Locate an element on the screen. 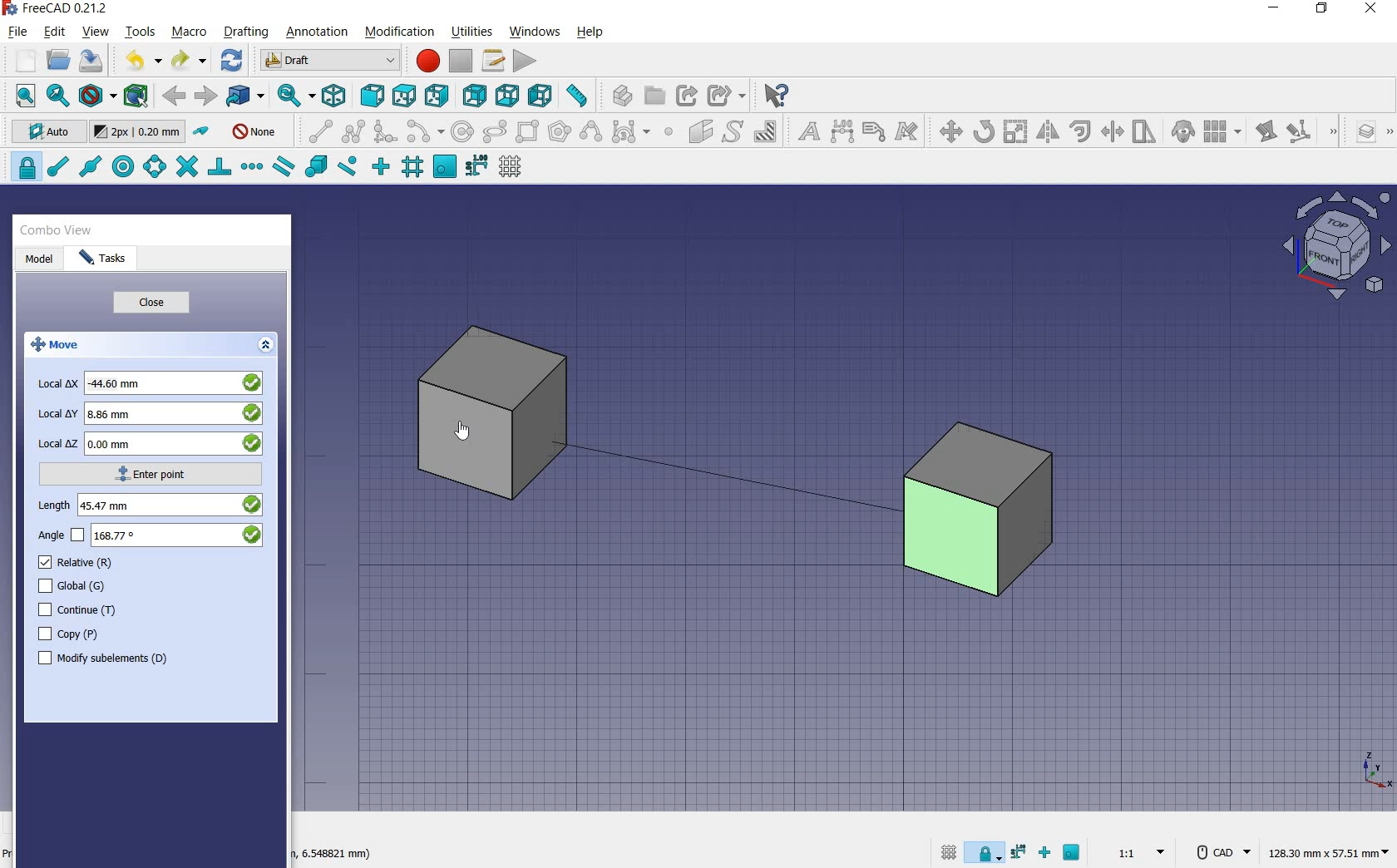 This screenshot has height=868, width=1397. close is located at coordinates (280, 229).